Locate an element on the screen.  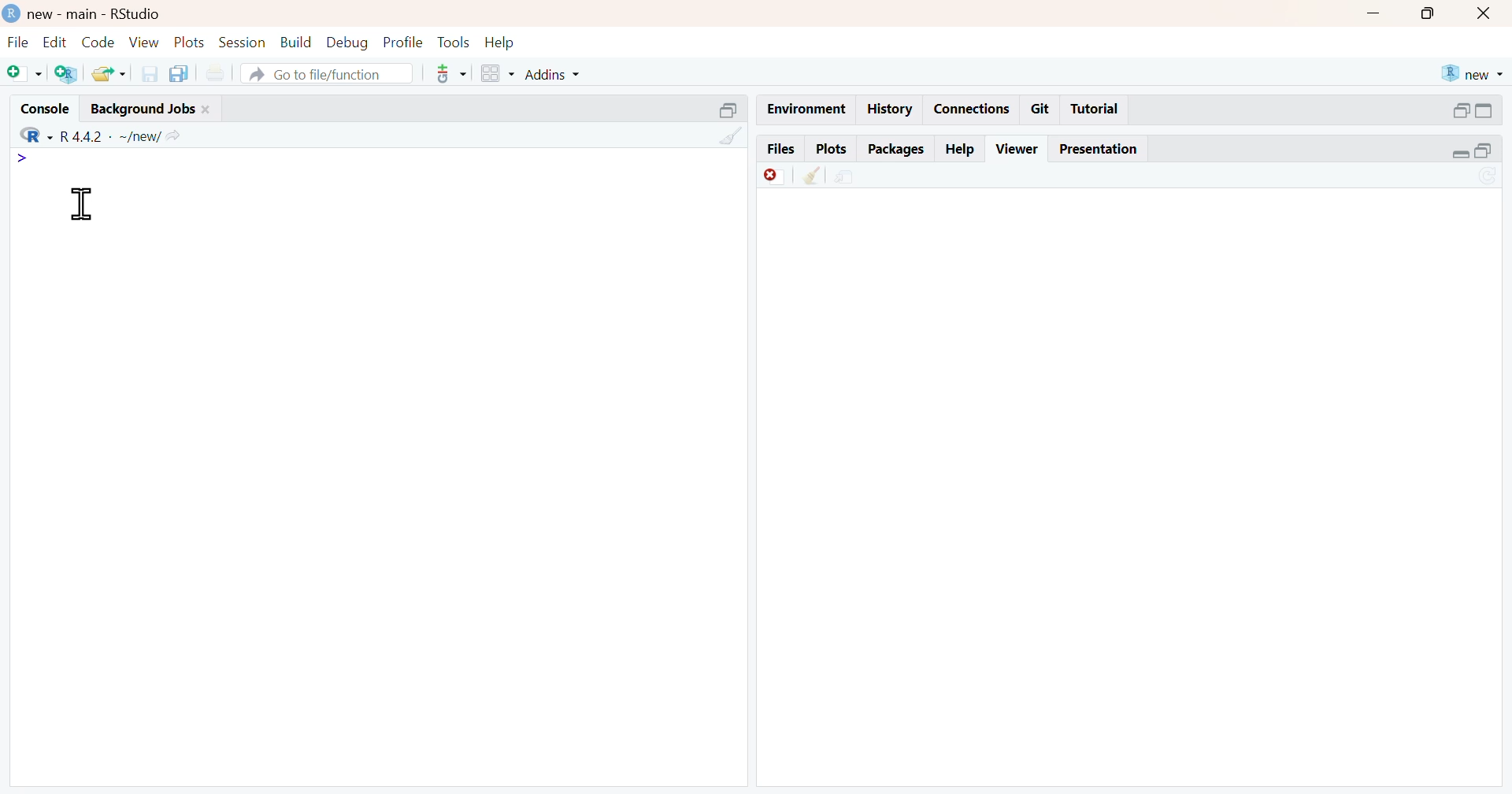
open an existing file is located at coordinates (108, 74).